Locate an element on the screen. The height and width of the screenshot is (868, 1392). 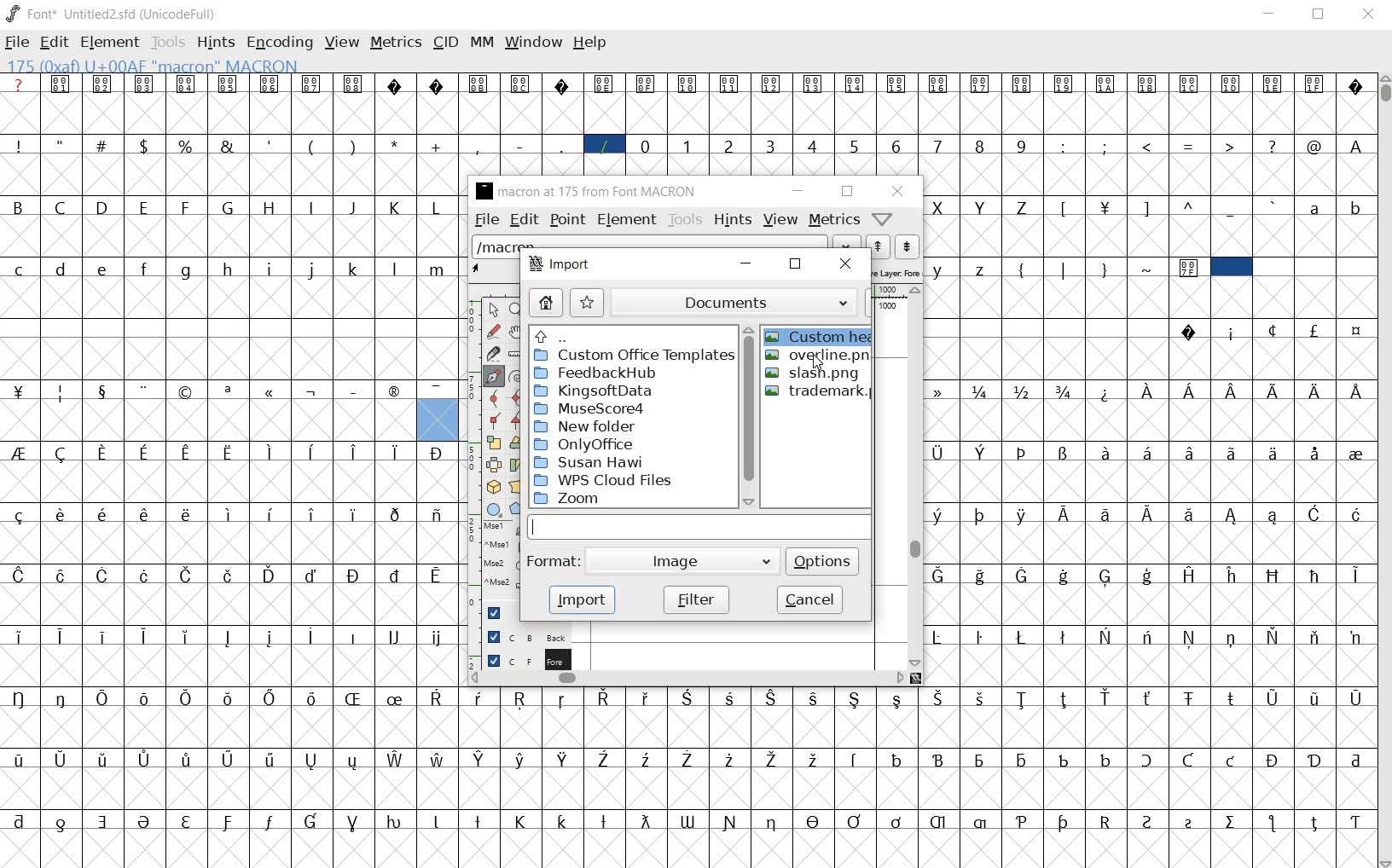
Symbol is located at coordinates (771, 84).